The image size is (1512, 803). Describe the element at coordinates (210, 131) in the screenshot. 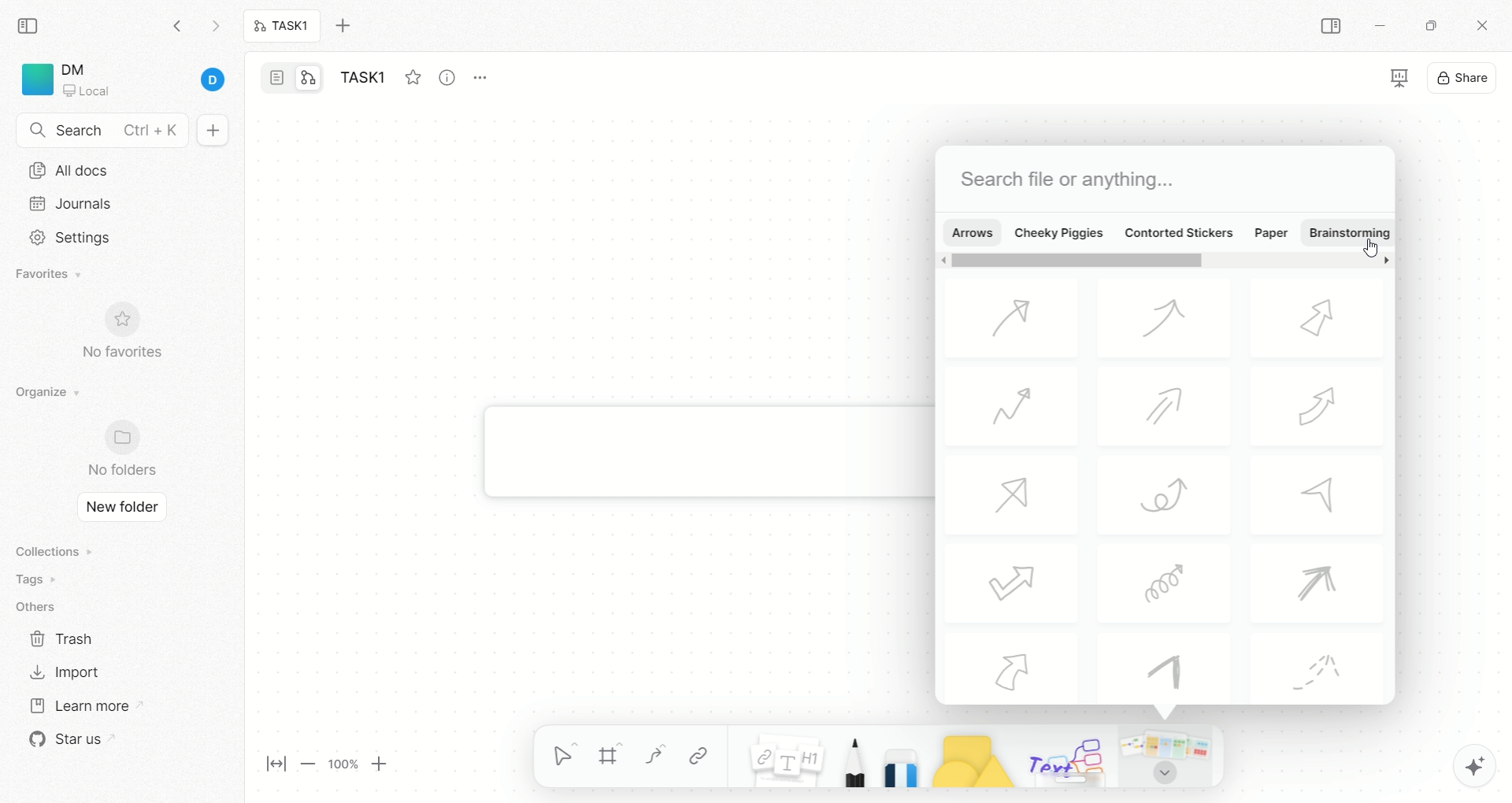

I see `new document` at that location.